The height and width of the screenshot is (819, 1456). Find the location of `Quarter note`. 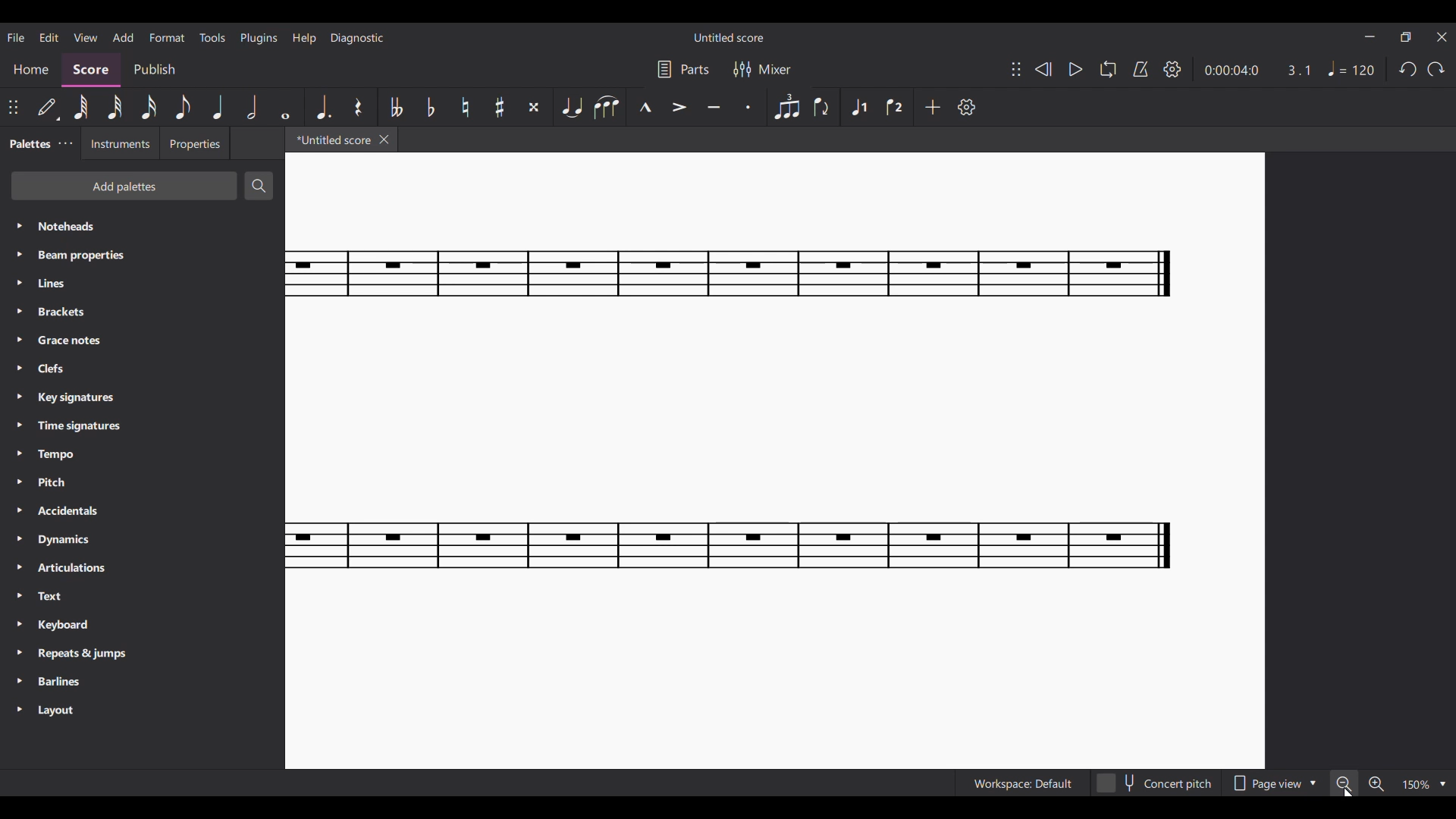

Quarter note is located at coordinates (219, 107).